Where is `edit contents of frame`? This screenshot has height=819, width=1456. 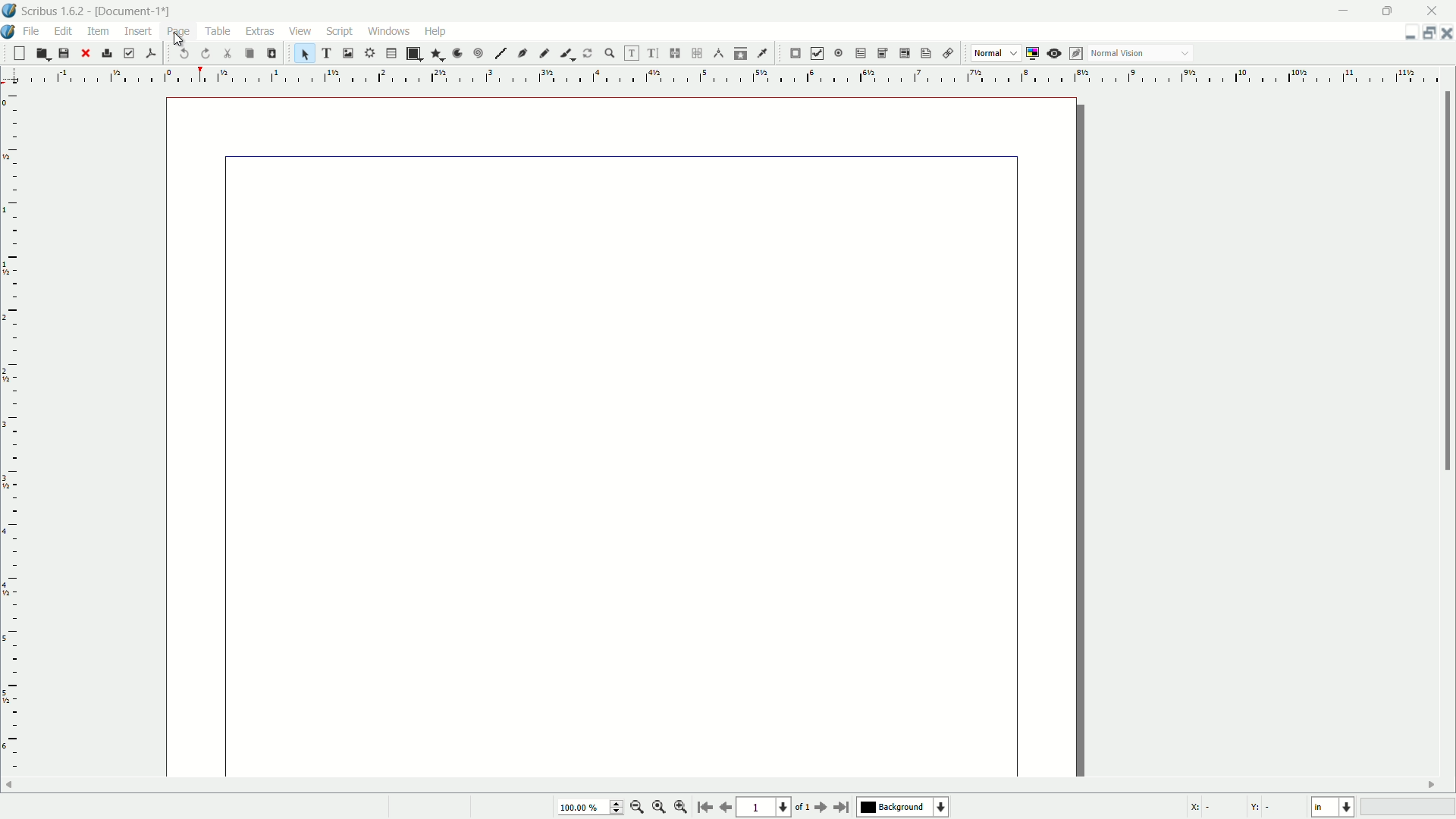
edit contents of frame is located at coordinates (629, 53).